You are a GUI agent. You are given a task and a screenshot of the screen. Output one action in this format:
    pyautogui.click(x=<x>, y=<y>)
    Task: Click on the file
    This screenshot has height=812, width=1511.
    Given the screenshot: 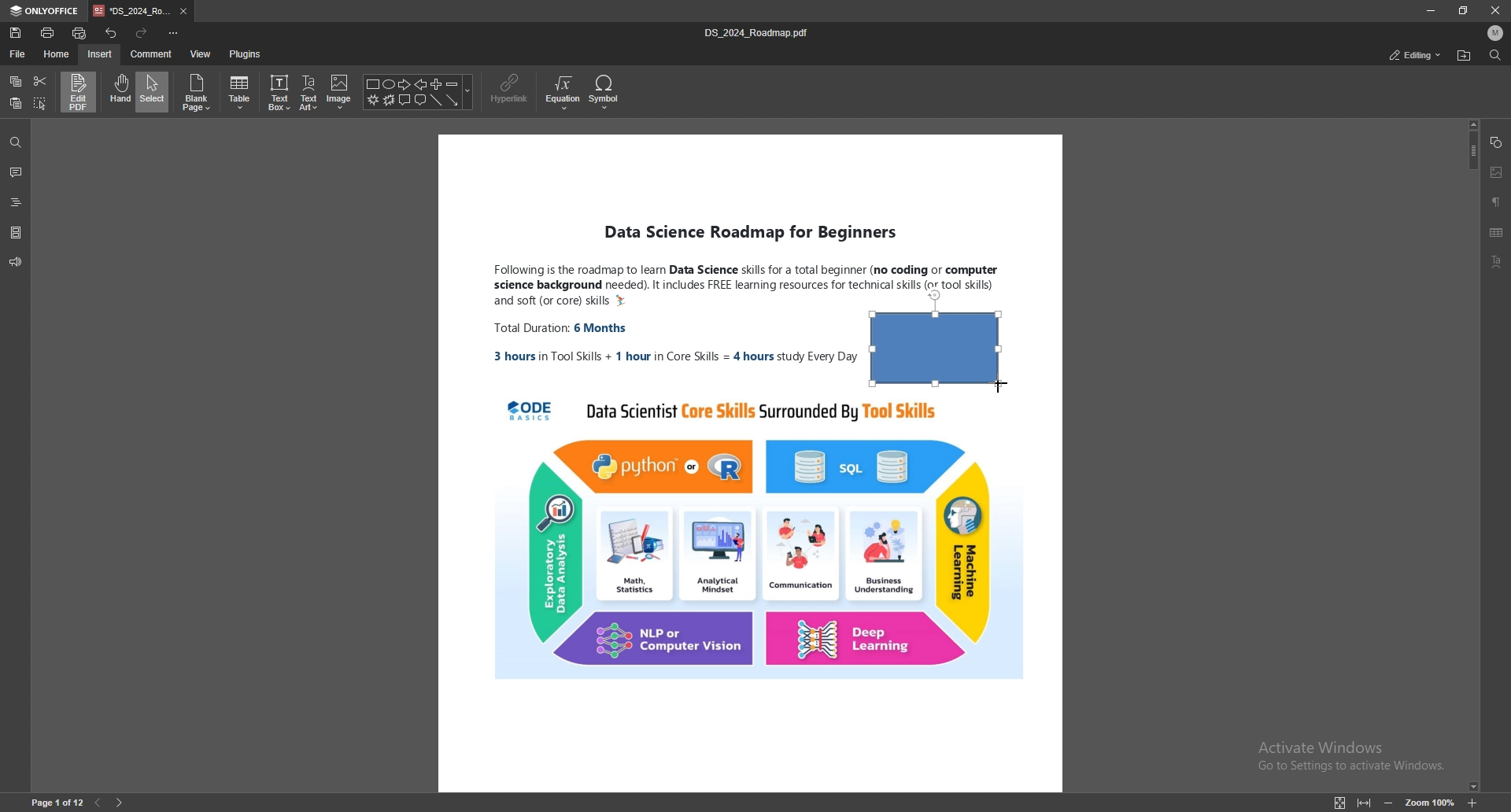 What is the action you would take?
    pyautogui.click(x=18, y=53)
    